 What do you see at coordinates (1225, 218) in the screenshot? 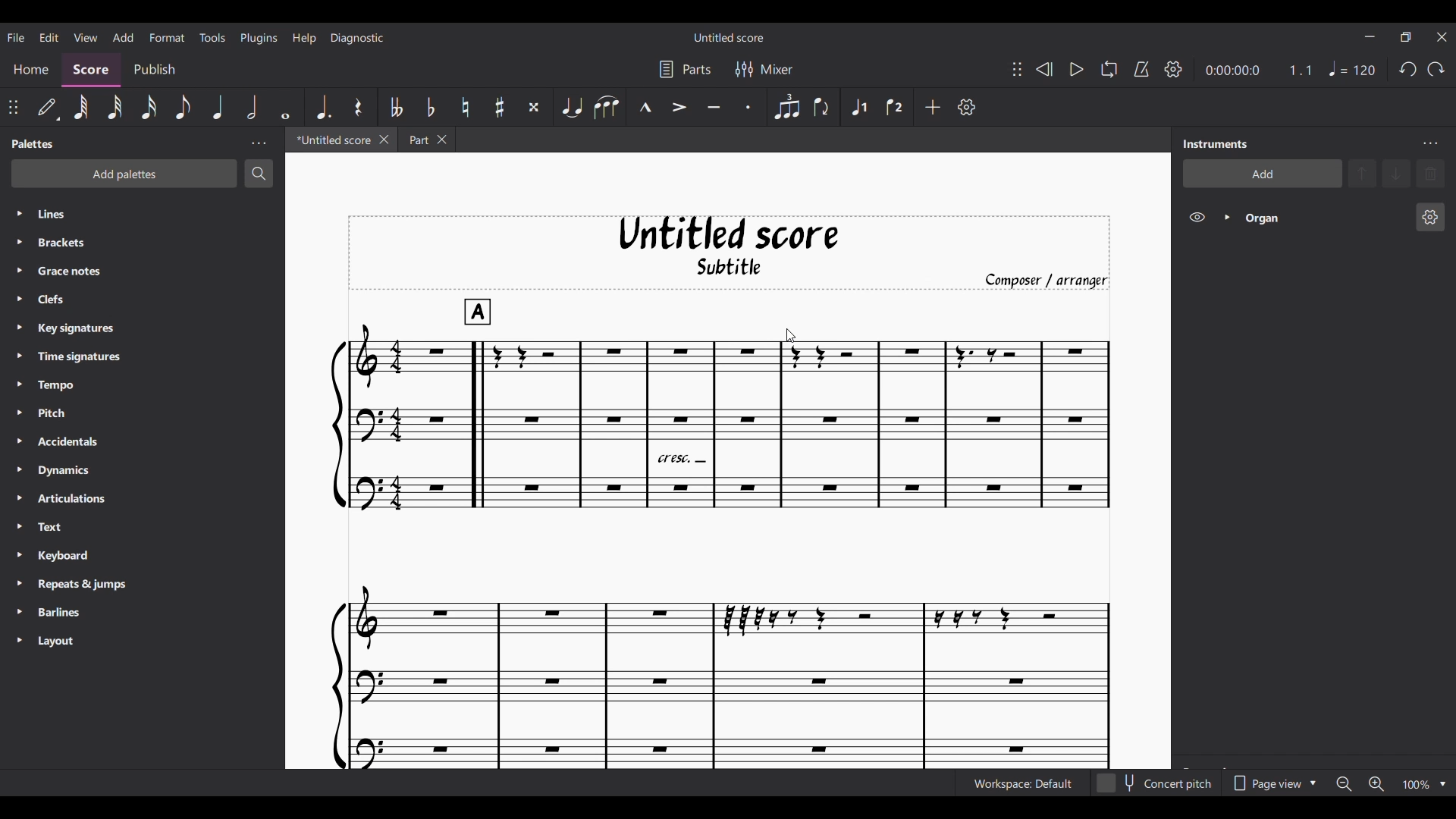
I see `Expand Organ` at bounding box center [1225, 218].